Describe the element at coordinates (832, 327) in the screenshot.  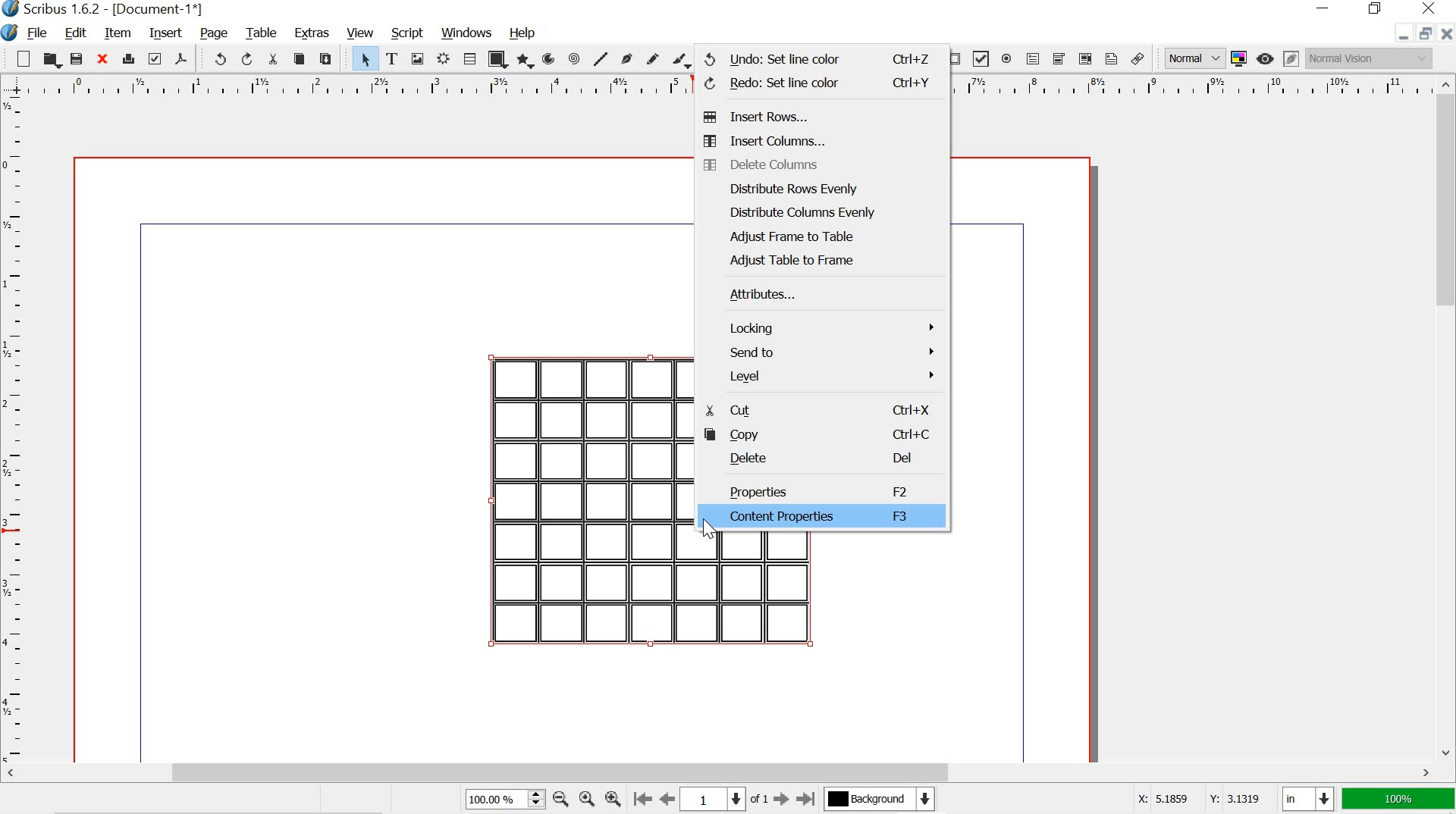
I see `locking` at that location.